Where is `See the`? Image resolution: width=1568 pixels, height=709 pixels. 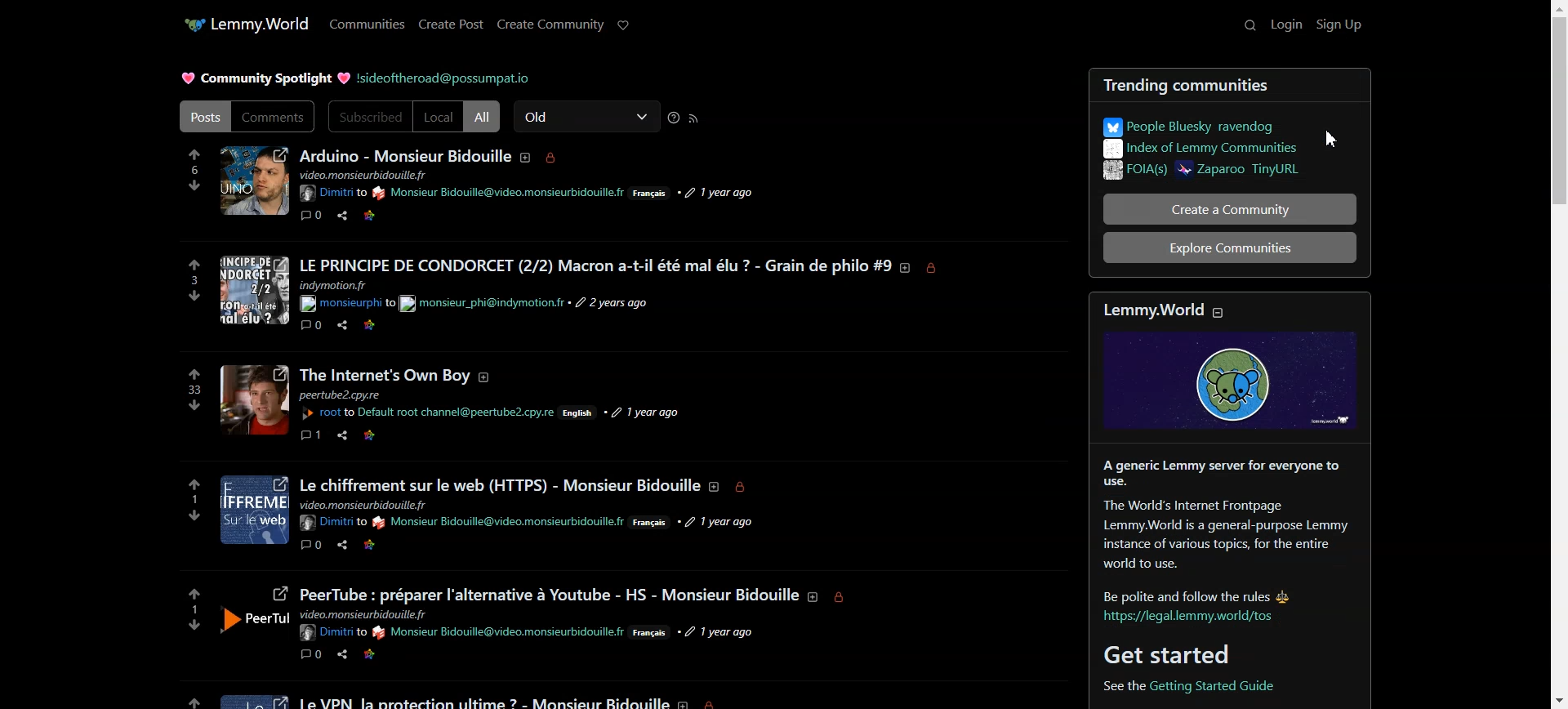
See the is located at coordinates (1112, 684).